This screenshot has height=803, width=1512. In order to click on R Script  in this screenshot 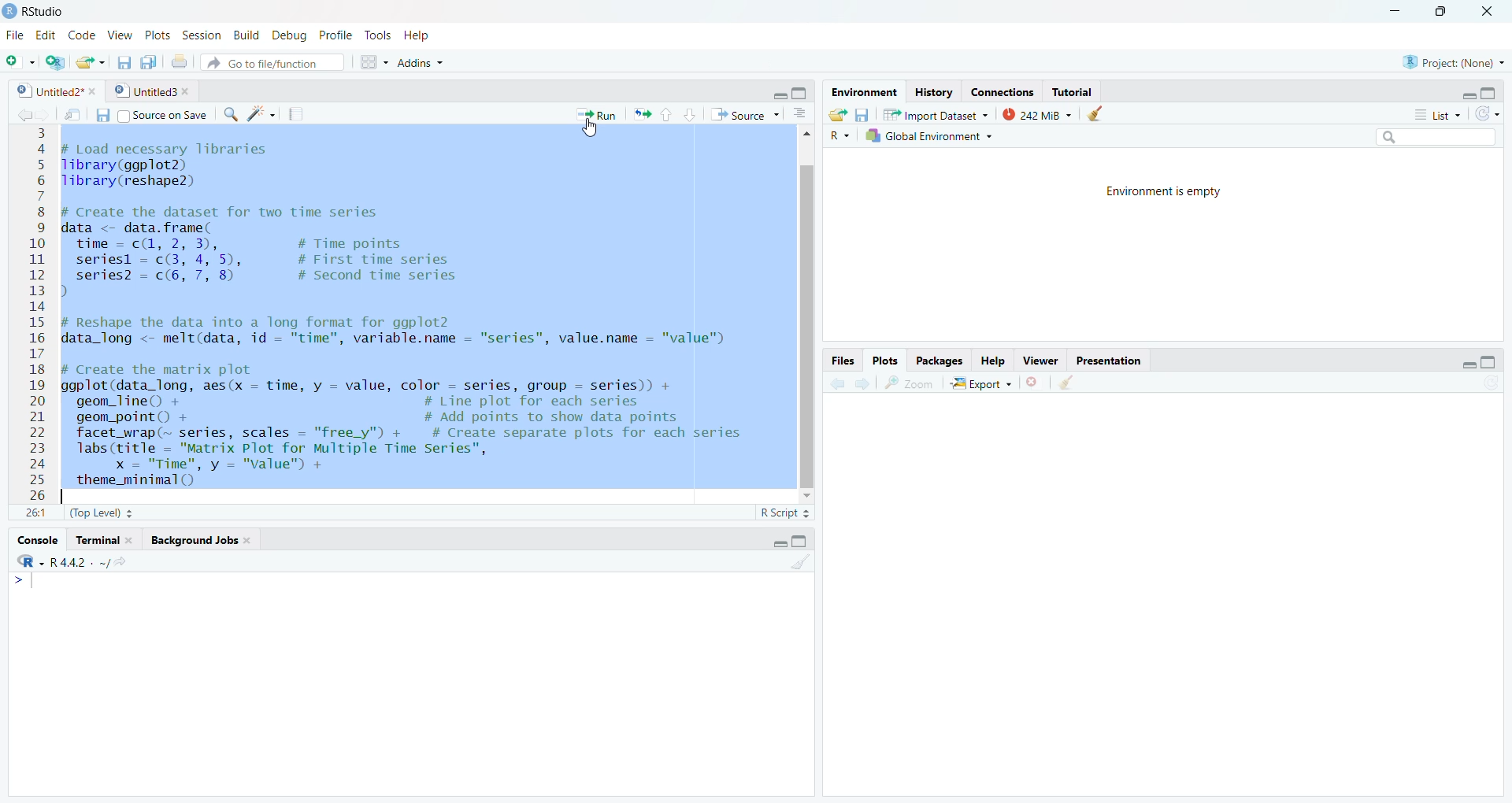, I will do `click(784, 513)`.